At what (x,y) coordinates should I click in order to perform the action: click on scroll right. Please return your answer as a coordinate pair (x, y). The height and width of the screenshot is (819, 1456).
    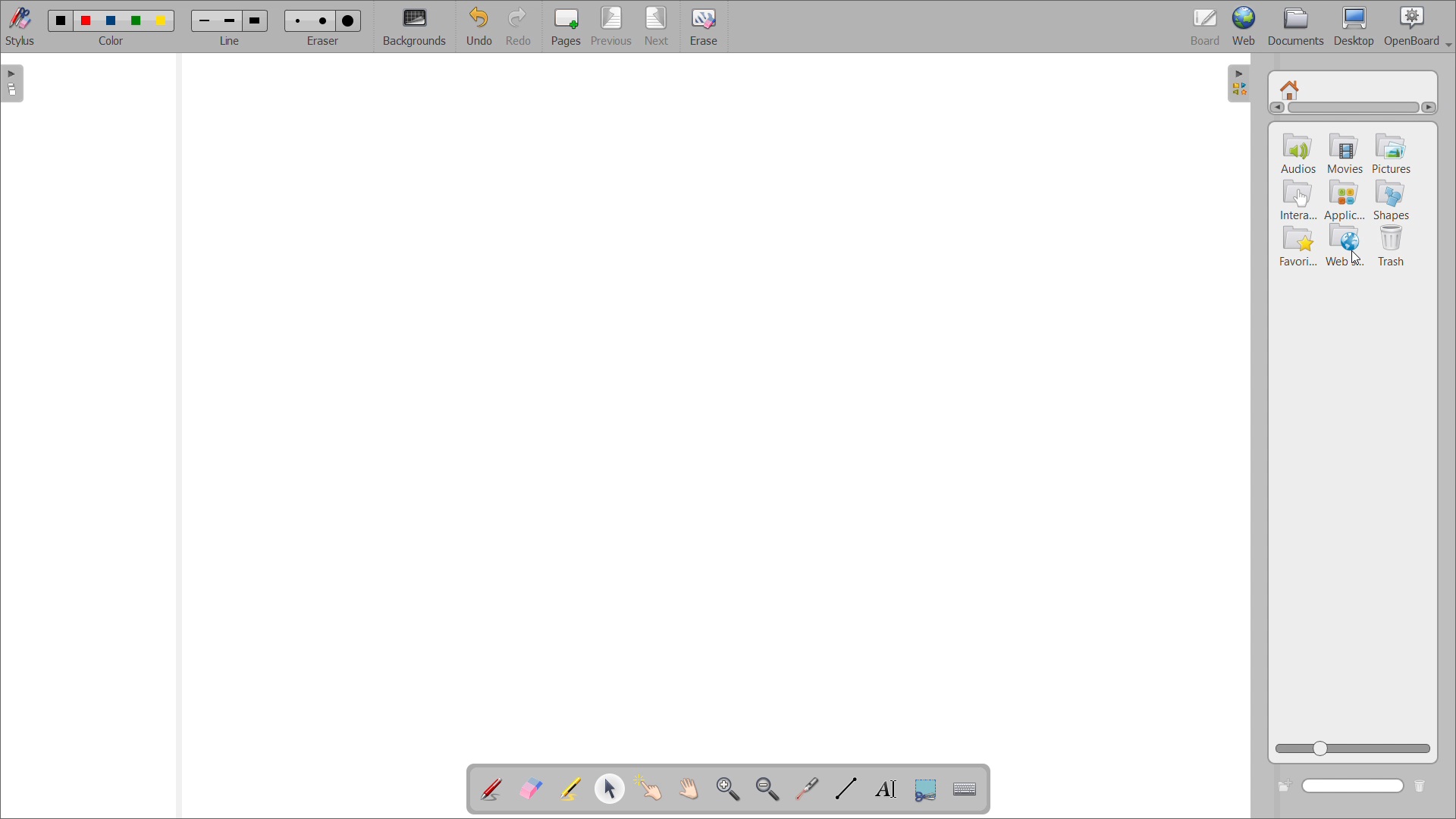
    Looking at the image, I should click on (1428, 107).